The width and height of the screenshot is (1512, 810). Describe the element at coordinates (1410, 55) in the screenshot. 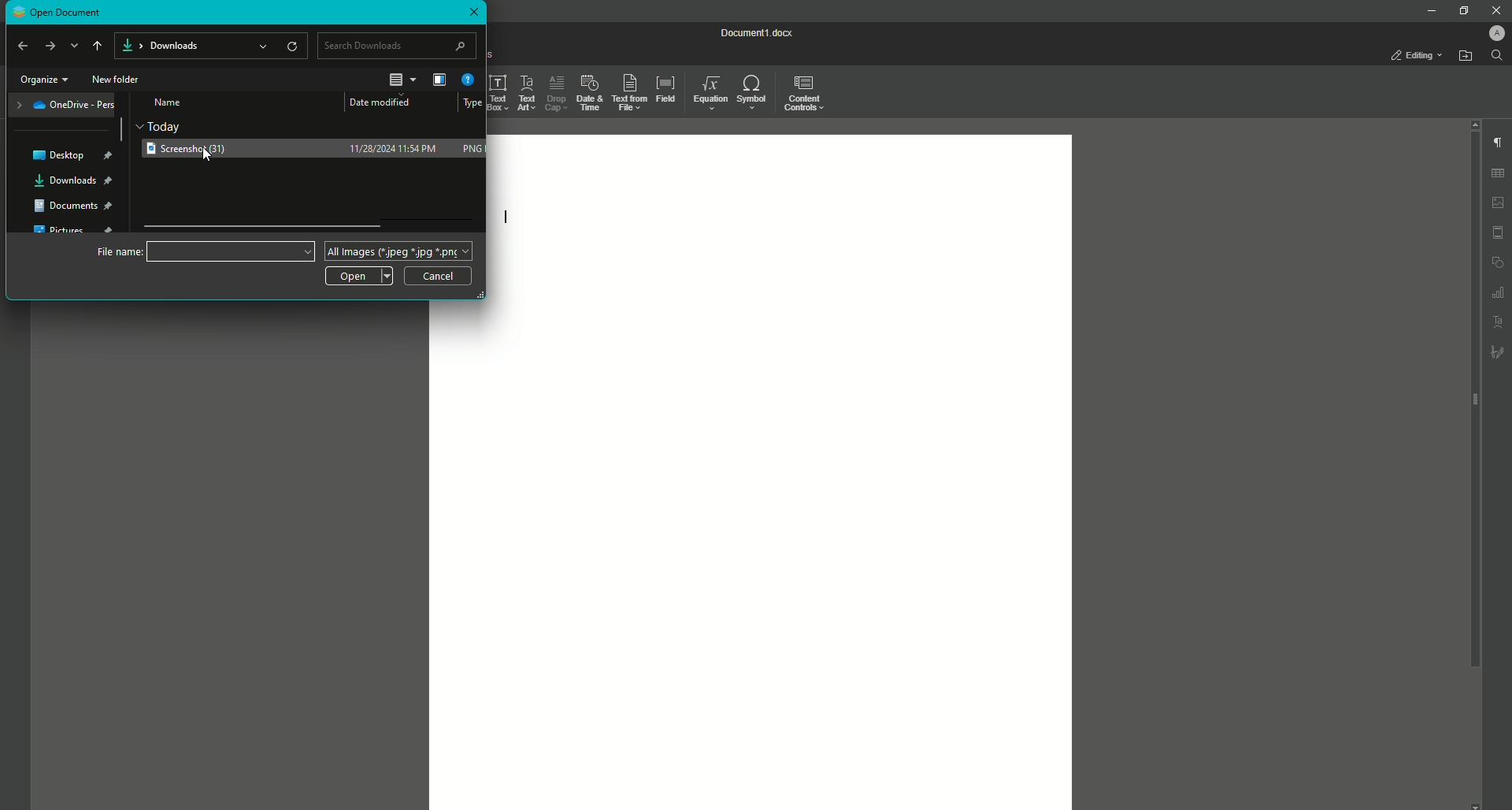

I see `Editing` at that location.